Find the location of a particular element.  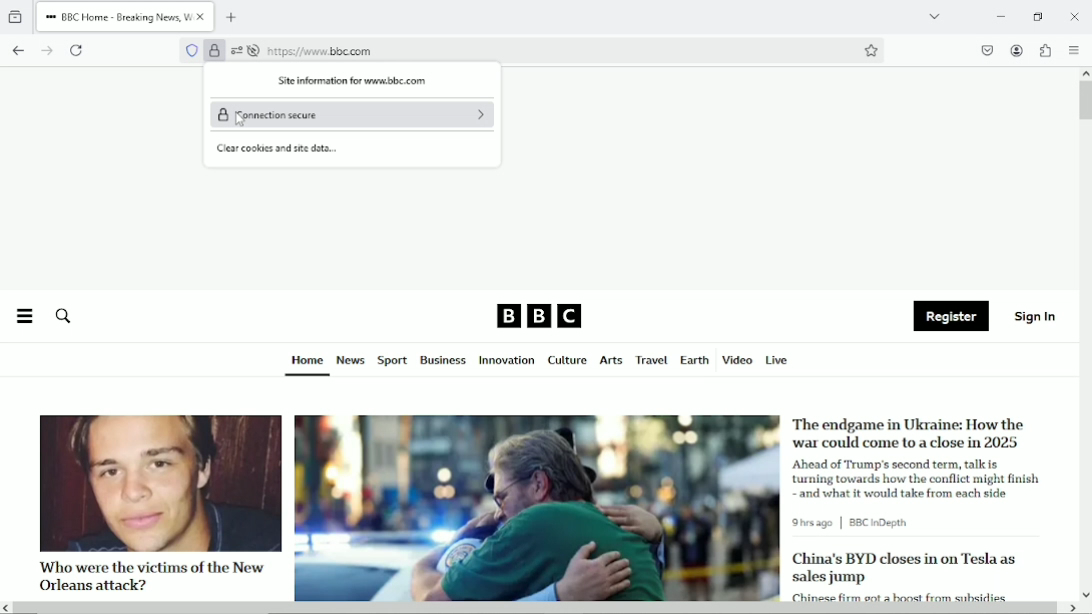

Travel is located at coordinates (649, 360).